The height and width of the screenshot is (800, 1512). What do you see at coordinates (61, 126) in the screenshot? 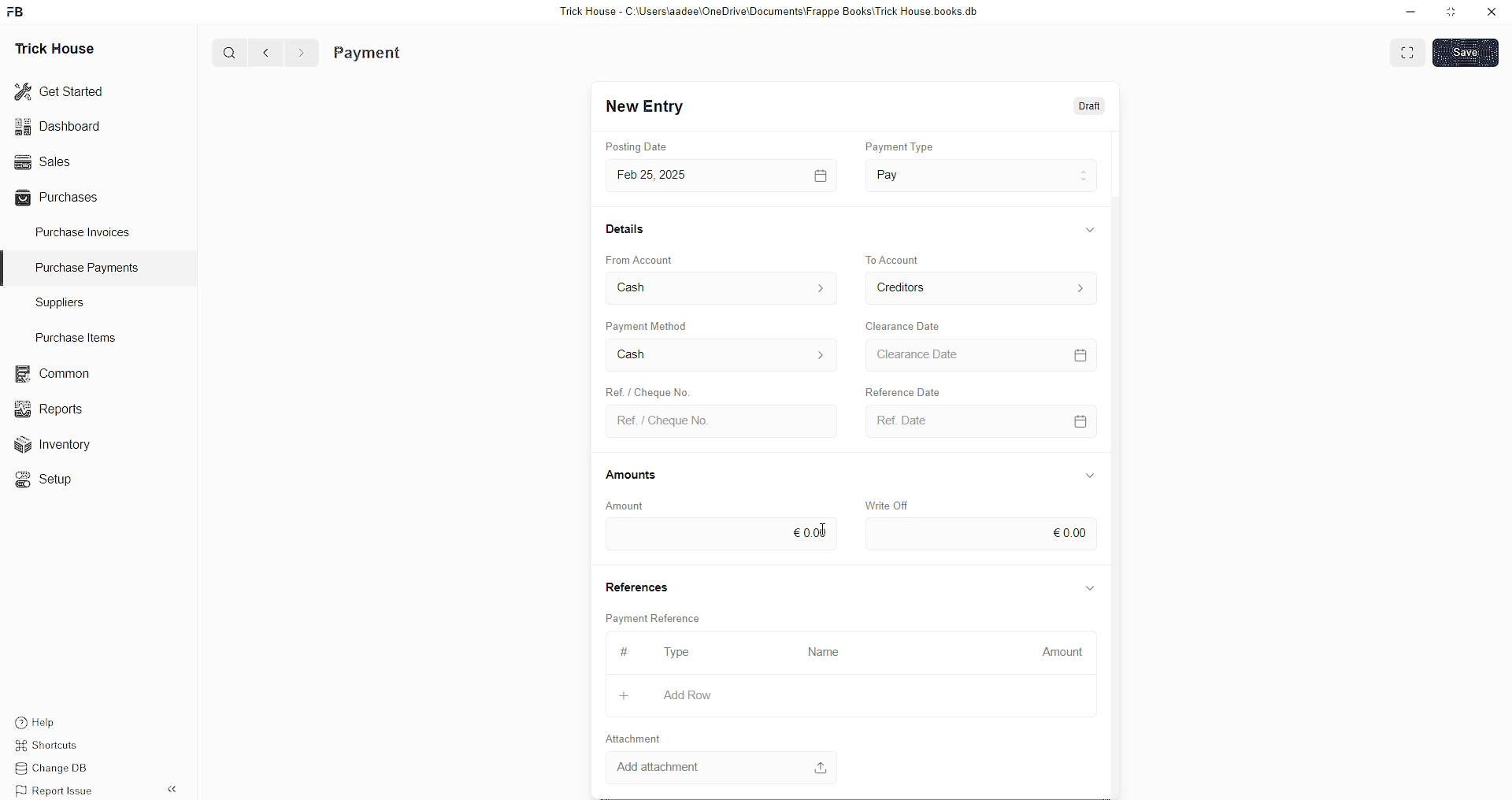
I see `Dashboard` at bounding box center [61, 126].